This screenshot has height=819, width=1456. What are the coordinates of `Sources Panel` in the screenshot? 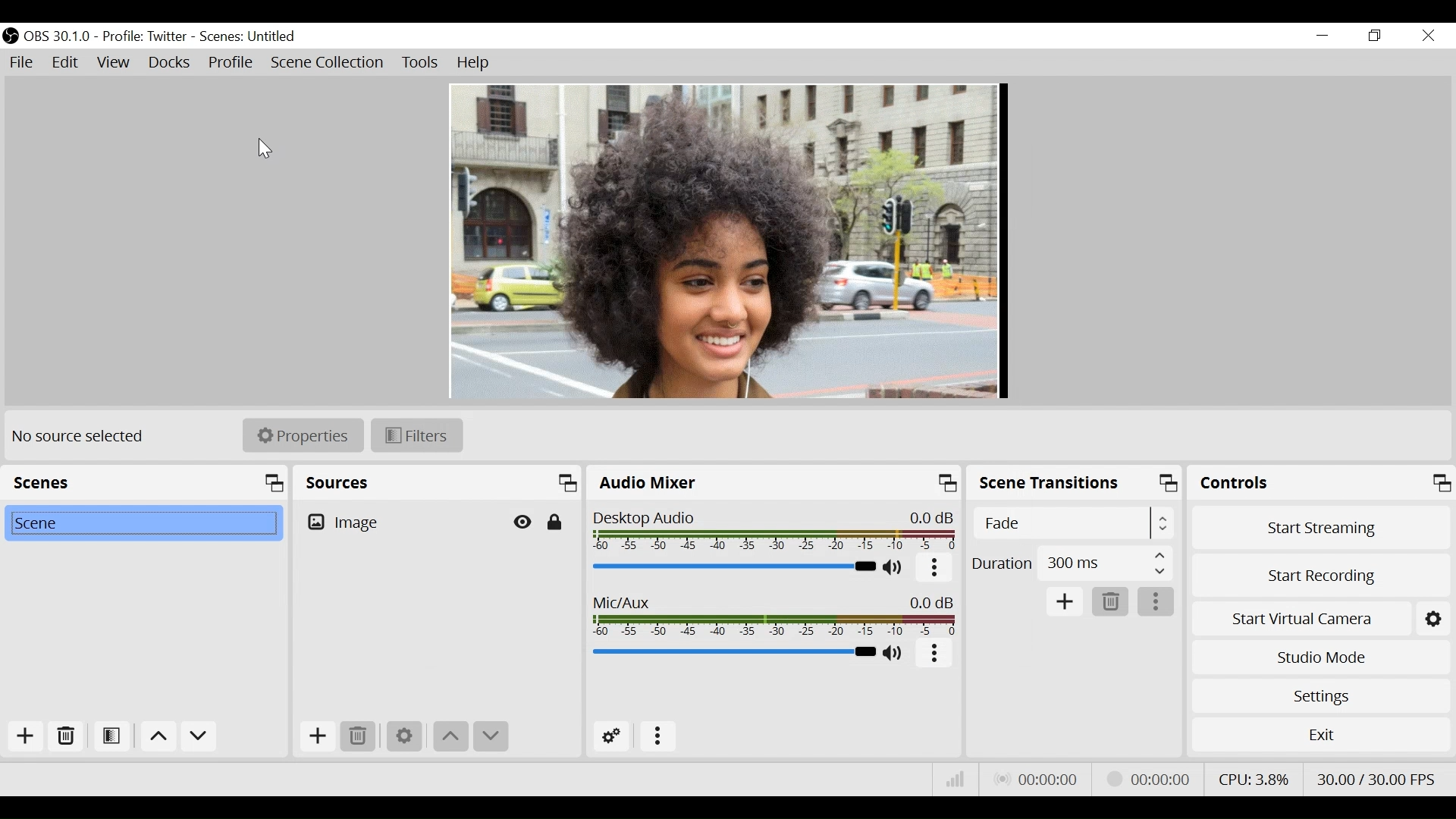 It's located at (438, 482).